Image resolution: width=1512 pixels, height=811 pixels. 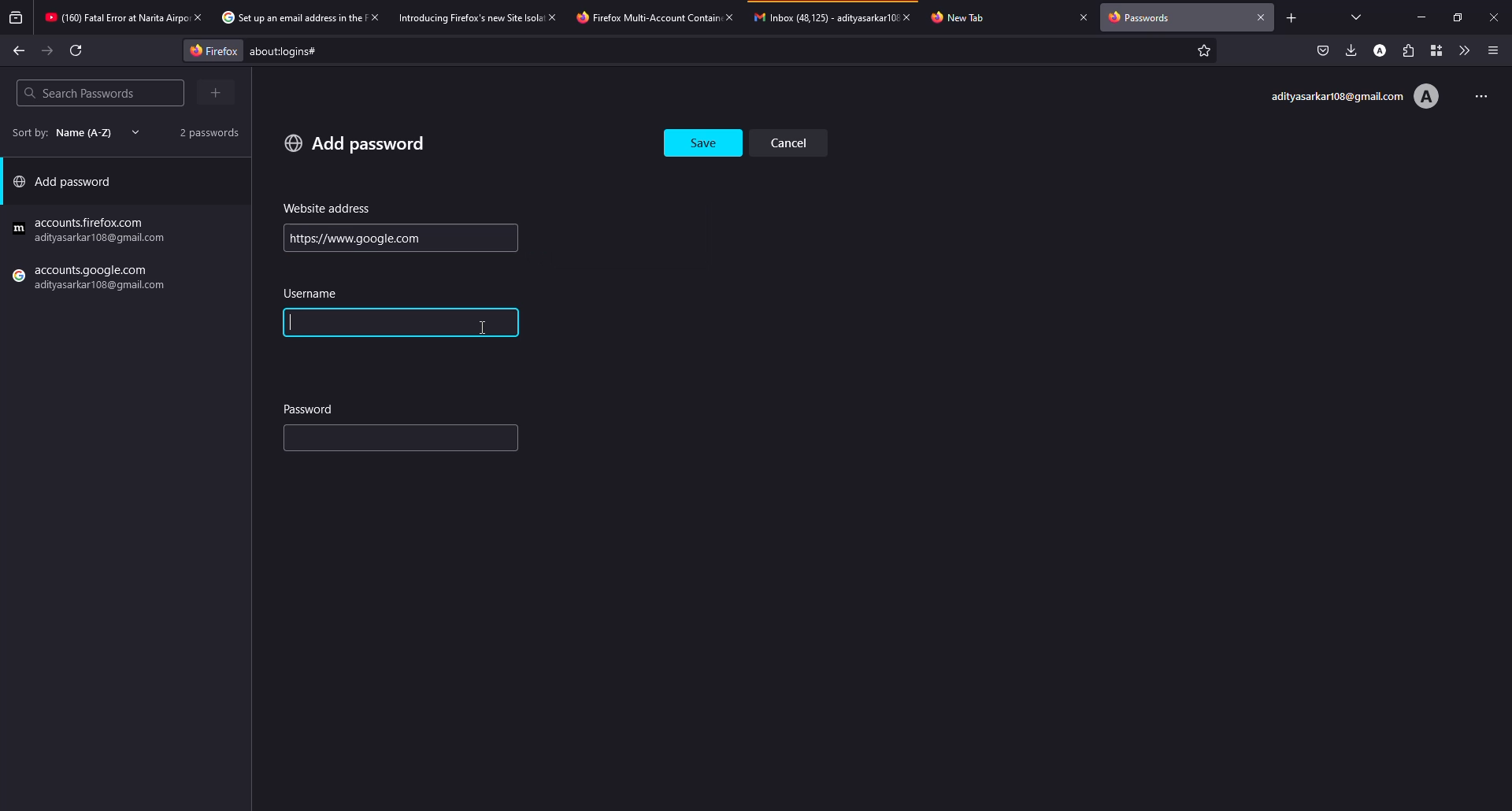 What do you see at coordinates (1323, 50) in the screenshot?
I see `save to pocket` at bounding box center [1323, 50].